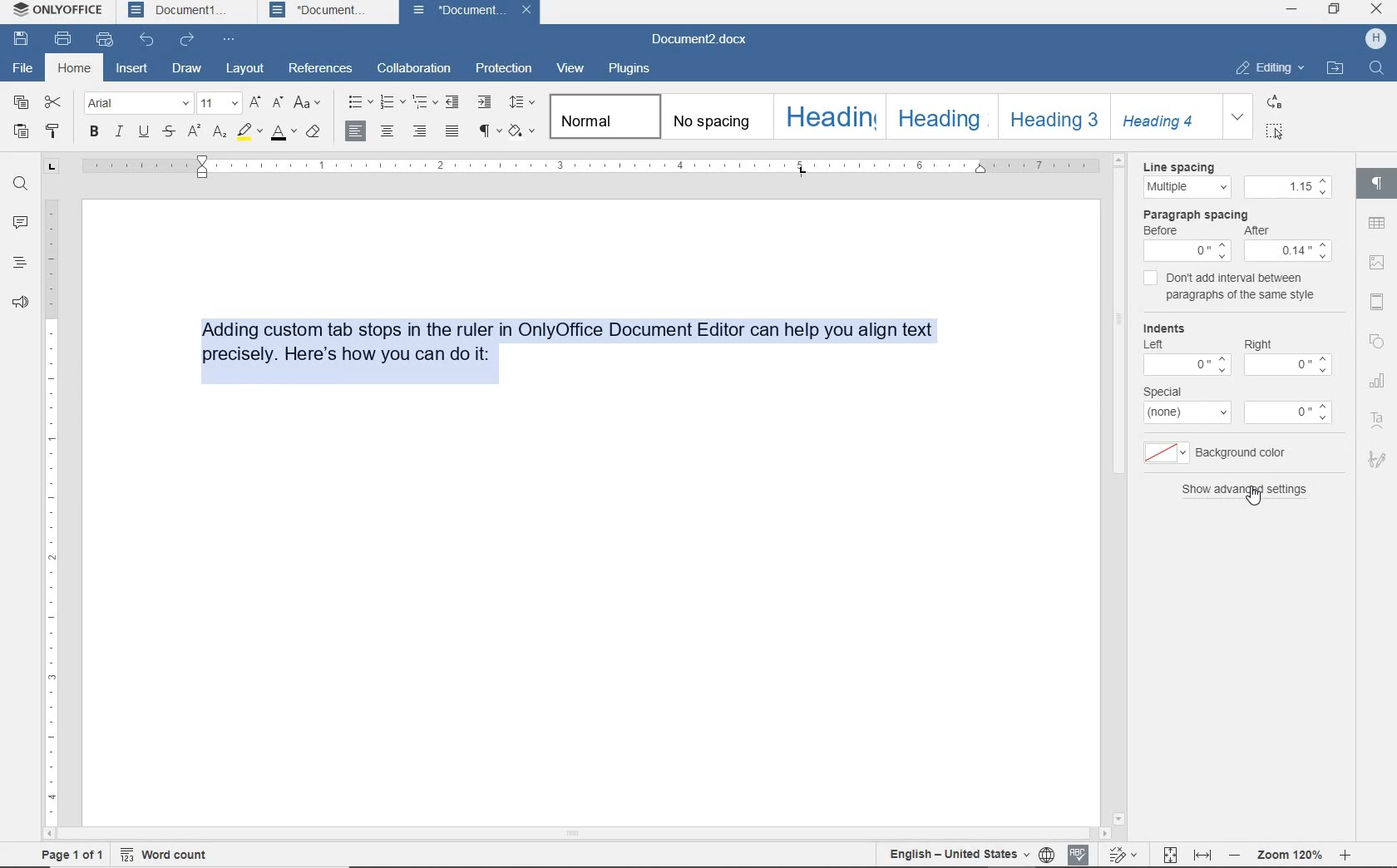 This screenshot has width=1397, height=868. Describe the element at coordinates (1286, 367) in the screenshot. I see `menu` at that location.